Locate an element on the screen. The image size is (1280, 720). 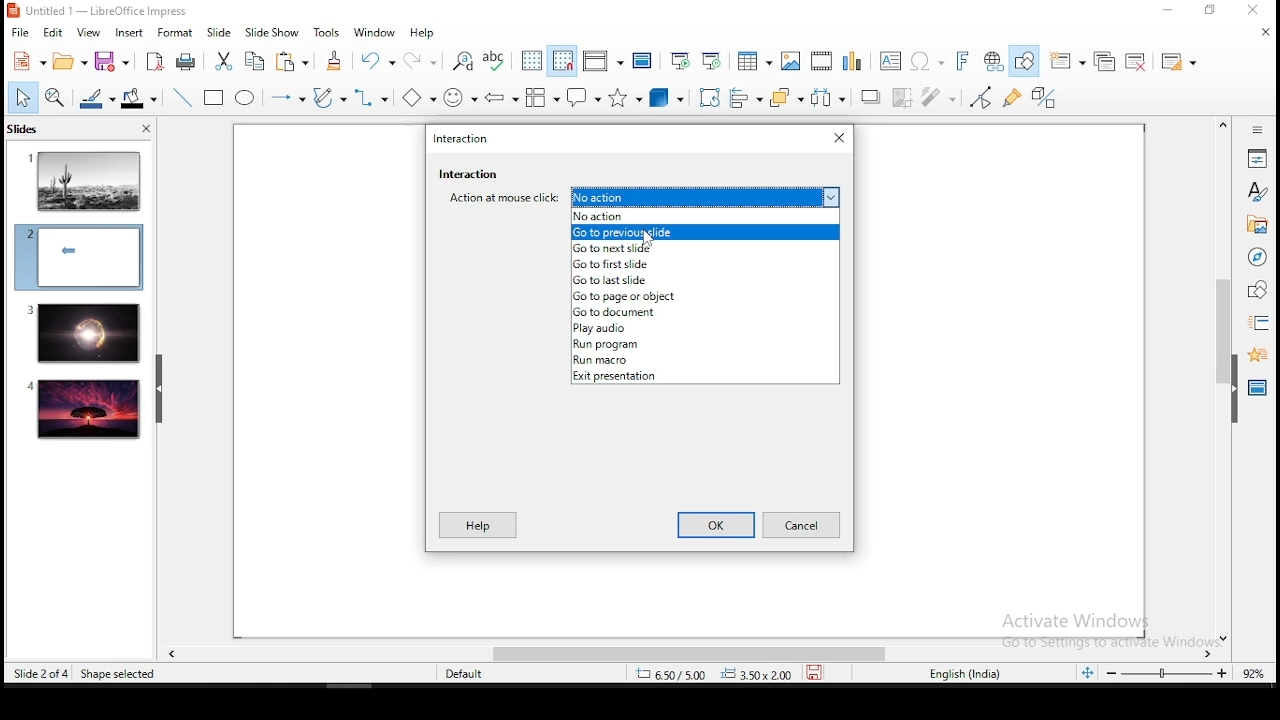
close is located at coordinates (1263, 34).